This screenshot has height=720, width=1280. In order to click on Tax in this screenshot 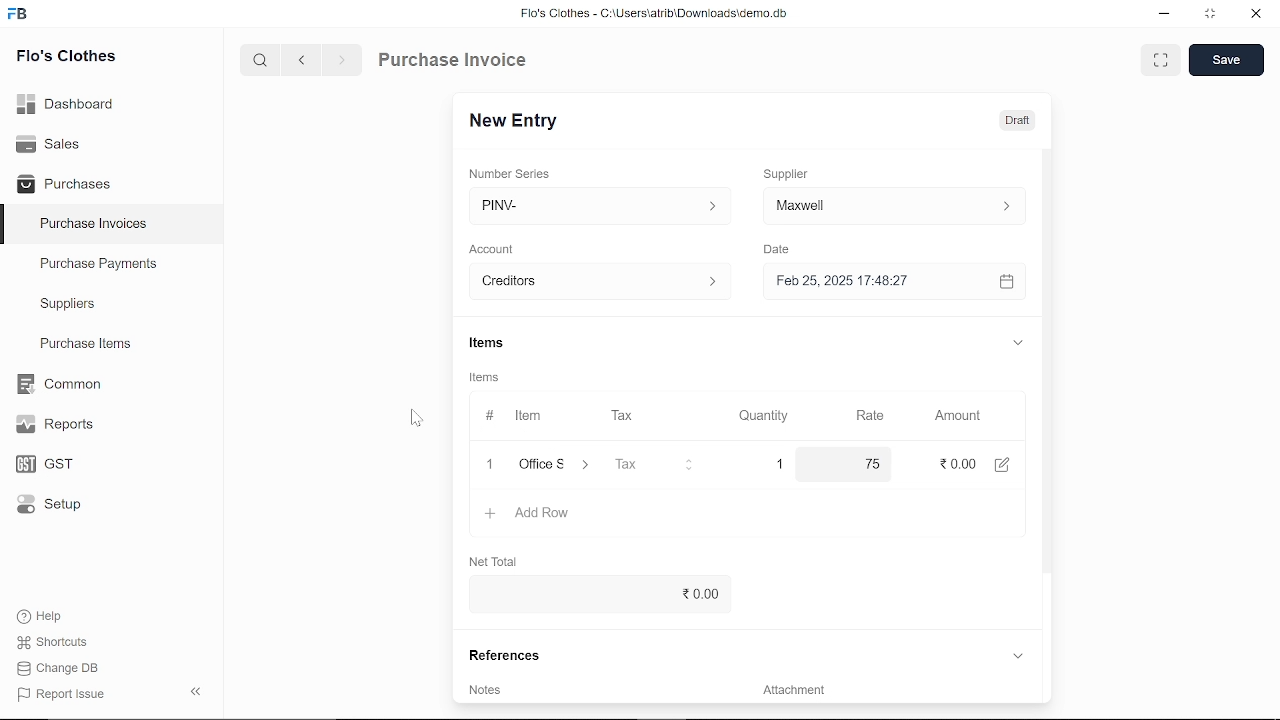, I will do `click(626, 416)`.